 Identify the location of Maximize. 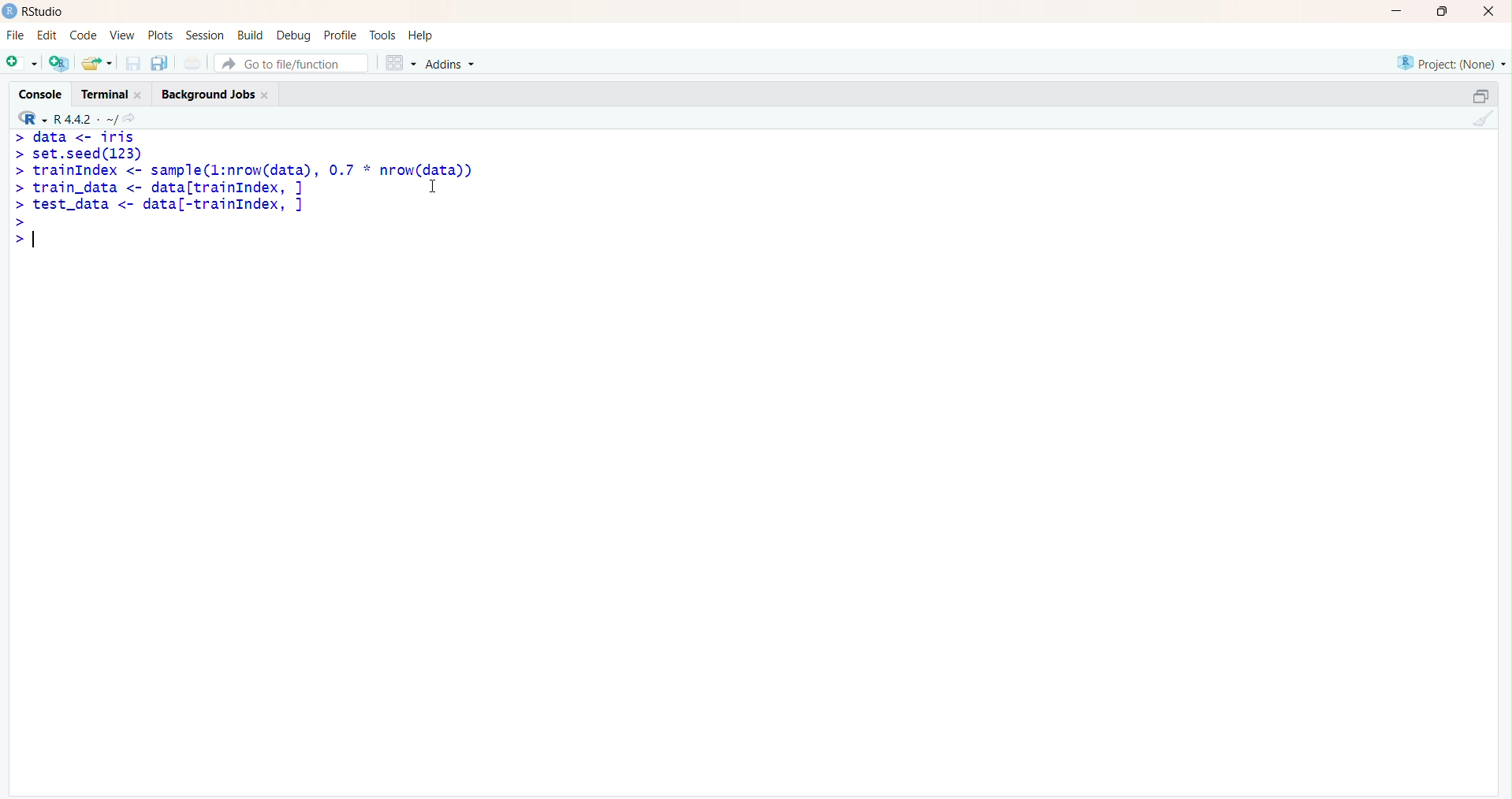
(1441, 12).